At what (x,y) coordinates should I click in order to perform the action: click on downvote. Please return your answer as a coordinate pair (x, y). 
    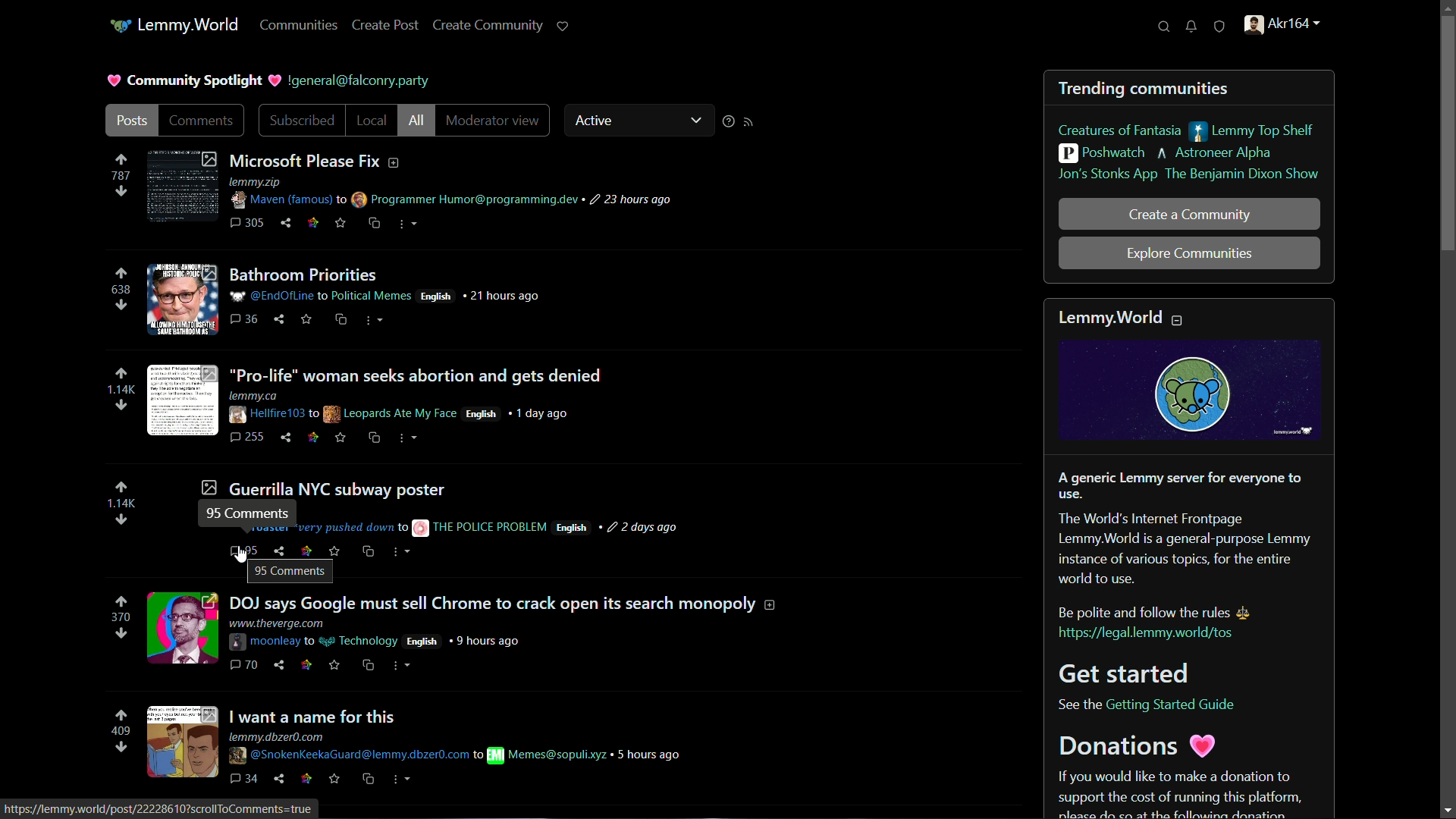
    Looking at the image, I should click on (121, 521).